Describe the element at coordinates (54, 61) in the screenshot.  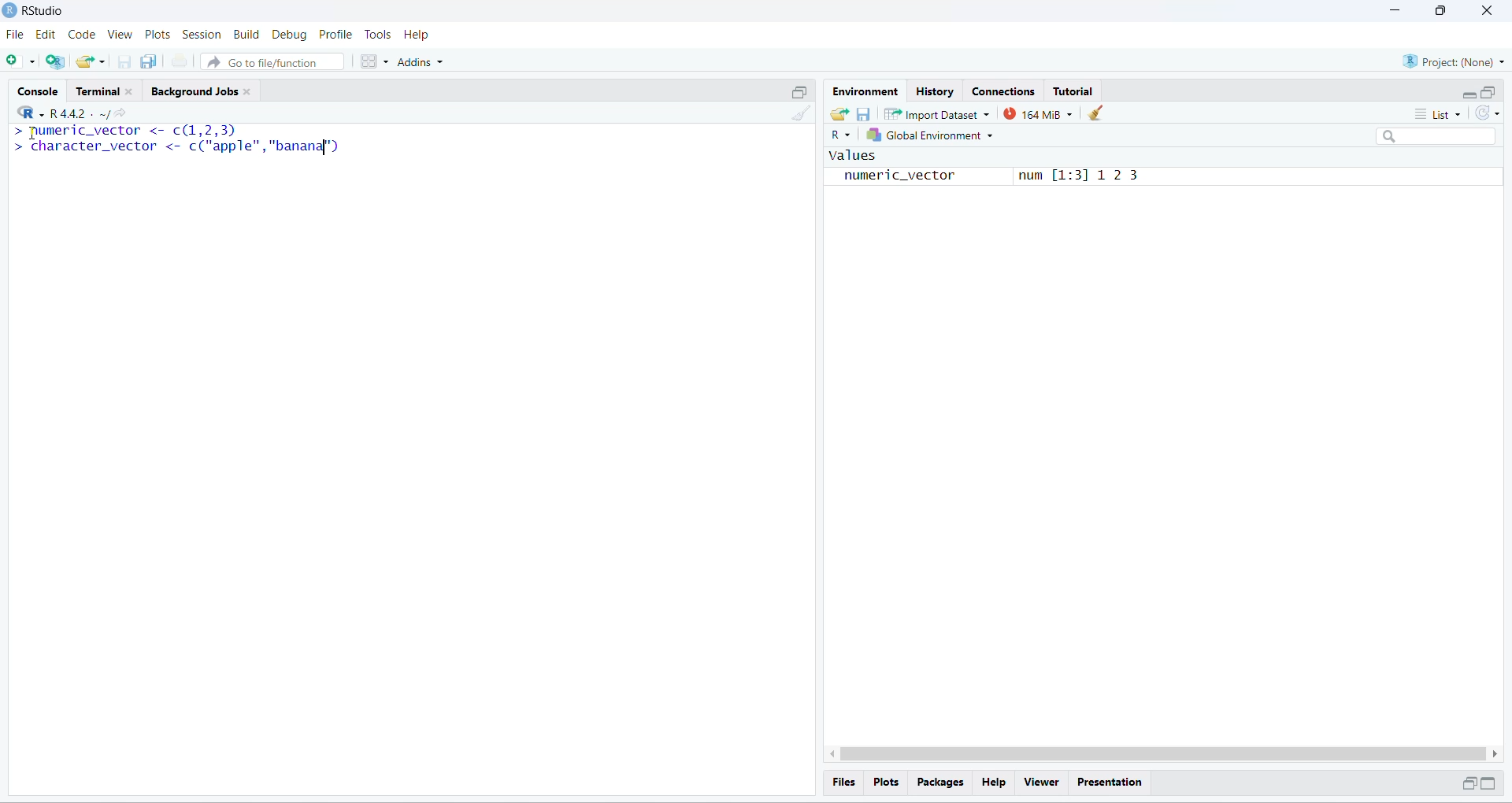
I see `create a project` at that location.